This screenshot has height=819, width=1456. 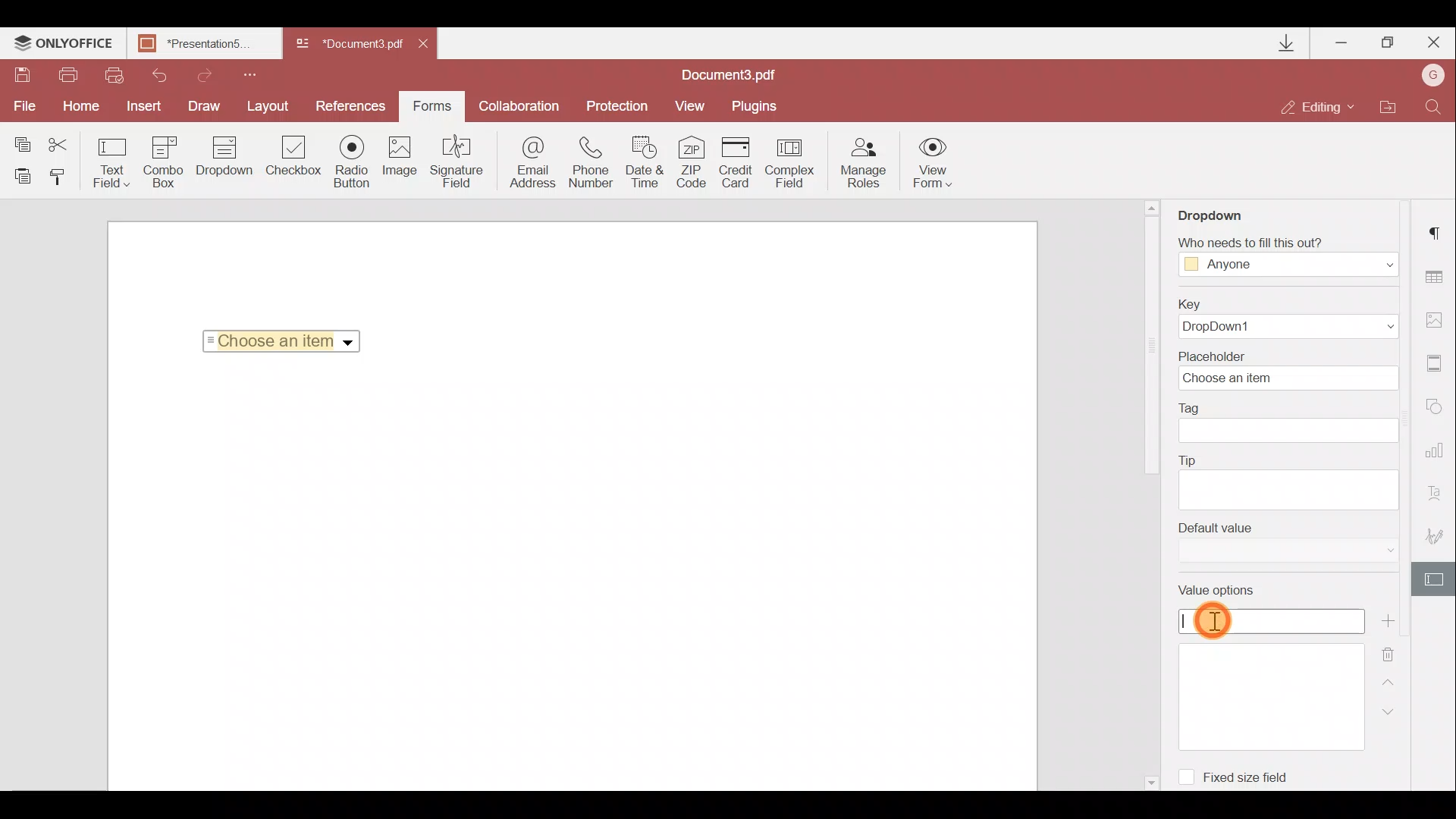 What do you see at coordinates (696, 165) in the screenshot?
I see `ZIP code` at bounding box center [696, 165].